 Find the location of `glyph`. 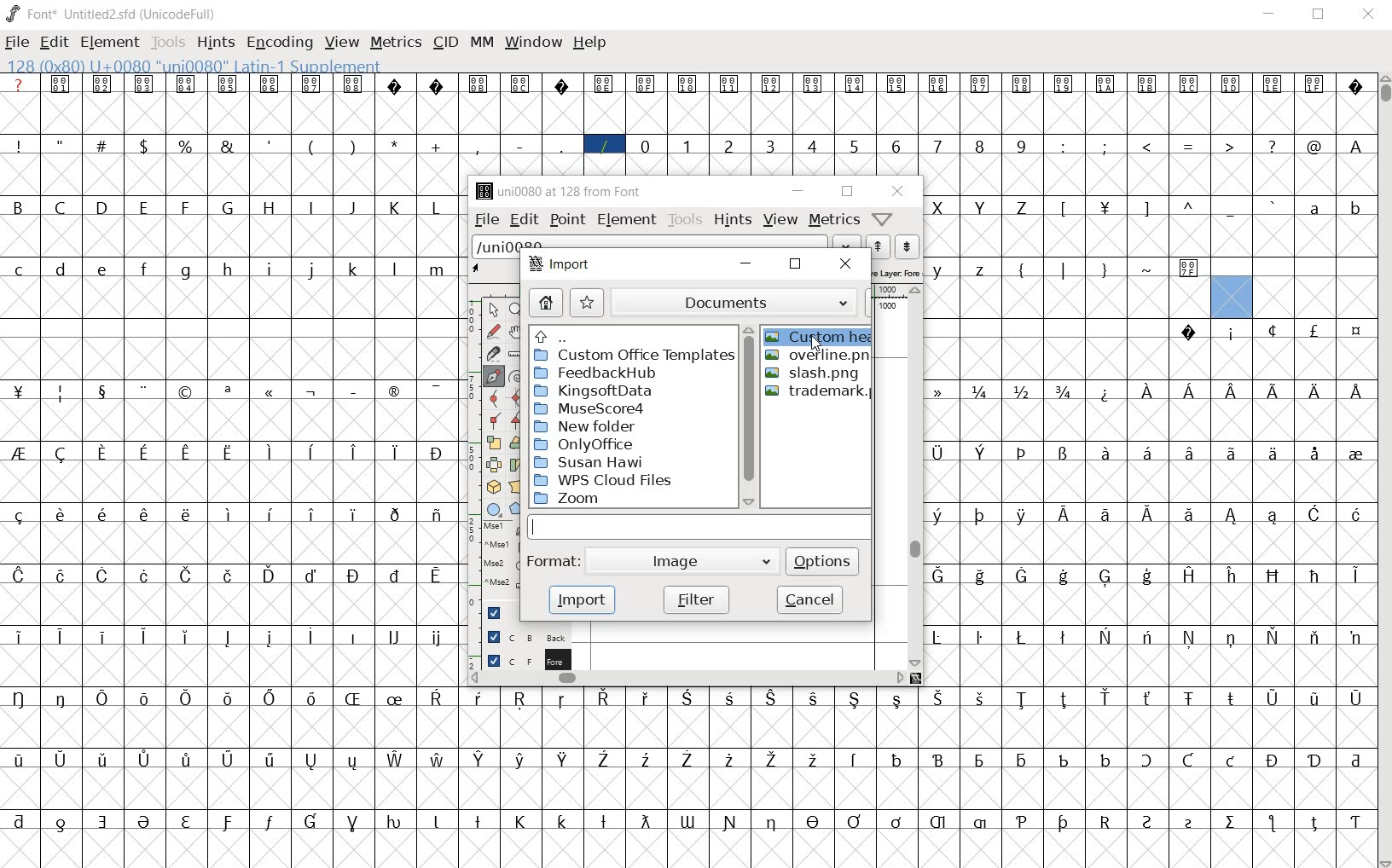

glyph is located at coordinates (227, 392).